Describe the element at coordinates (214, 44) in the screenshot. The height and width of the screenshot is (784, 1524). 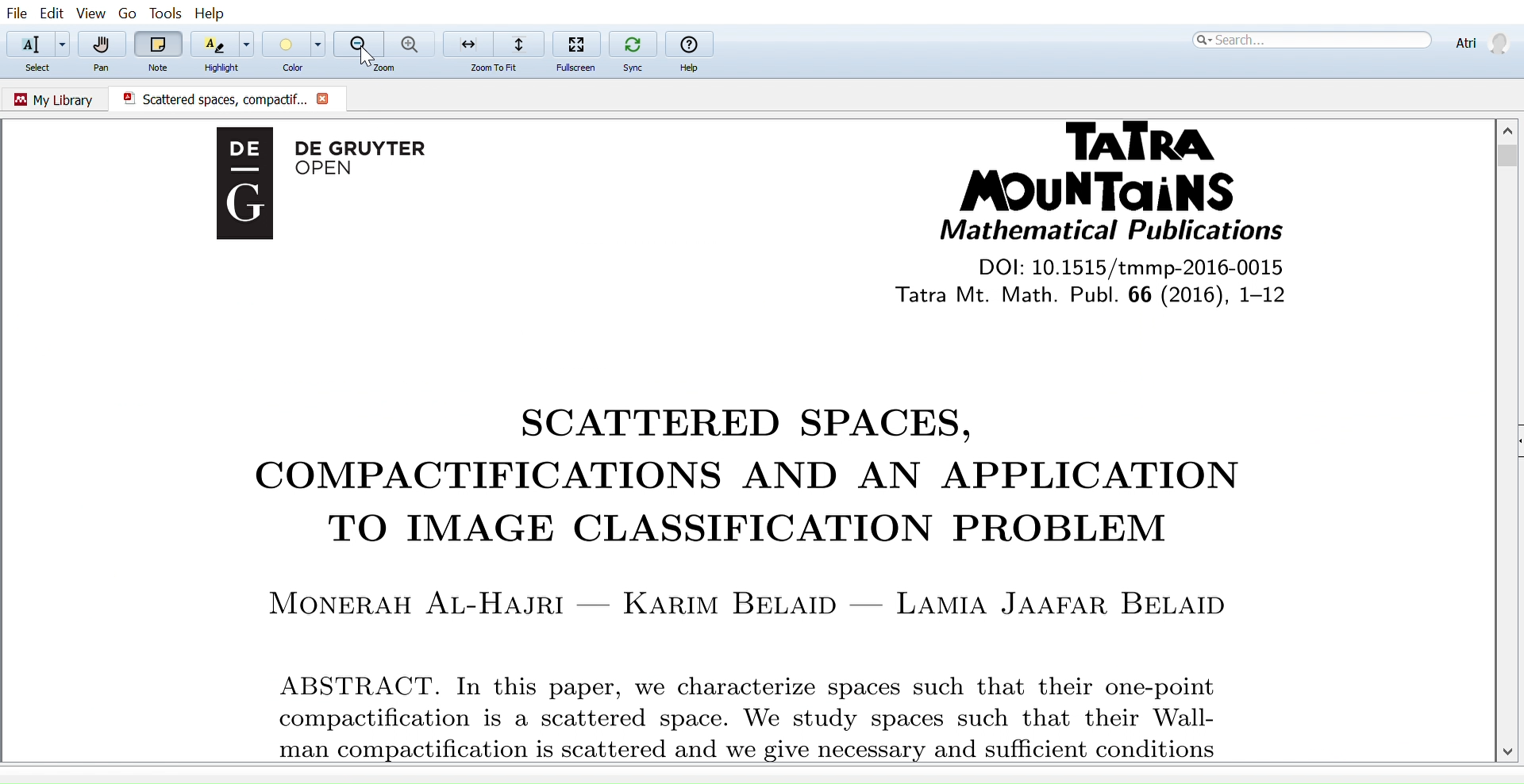
I see `Highlight` at that location.